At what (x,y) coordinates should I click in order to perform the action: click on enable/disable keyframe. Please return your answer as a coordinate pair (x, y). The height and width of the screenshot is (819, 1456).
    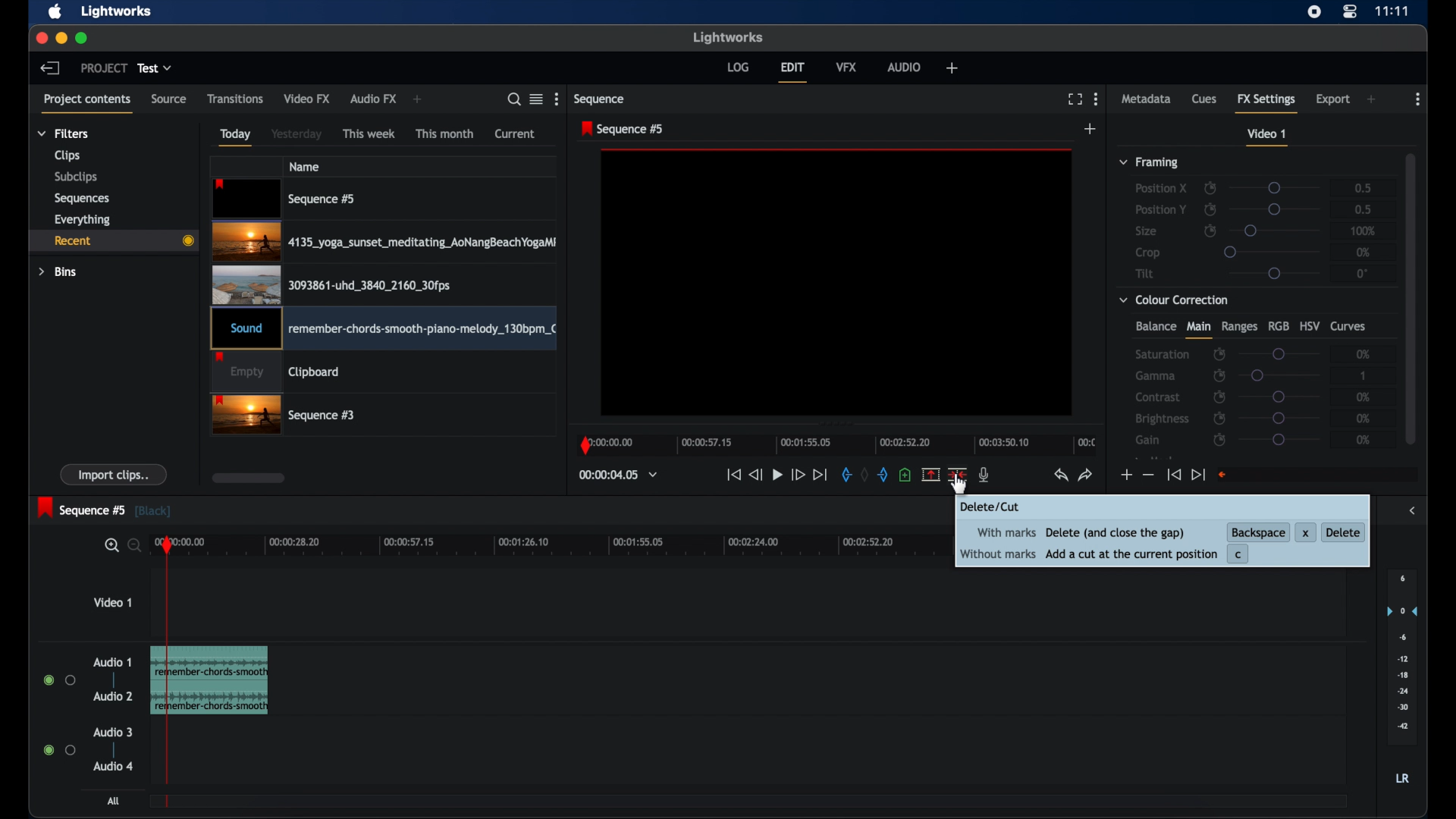
    Looking at the image, I should click on (1210, 230).